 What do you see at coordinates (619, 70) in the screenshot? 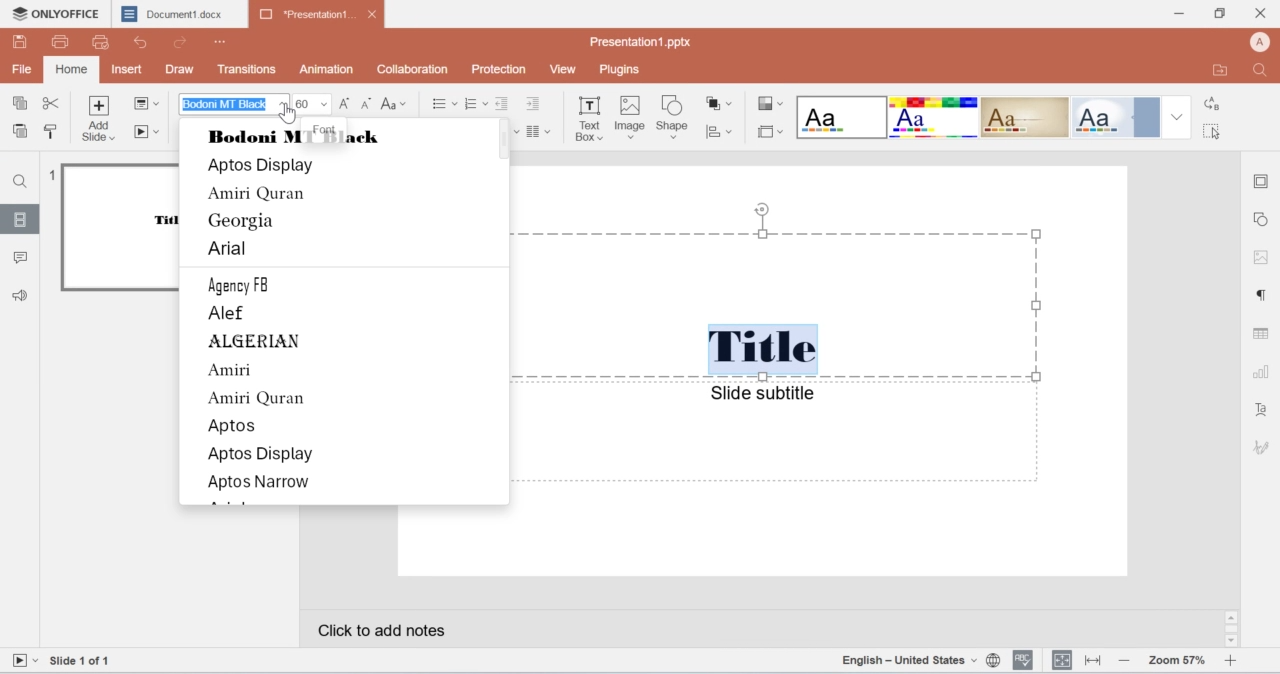
I see `plugins` at bounding box center [619, 70].